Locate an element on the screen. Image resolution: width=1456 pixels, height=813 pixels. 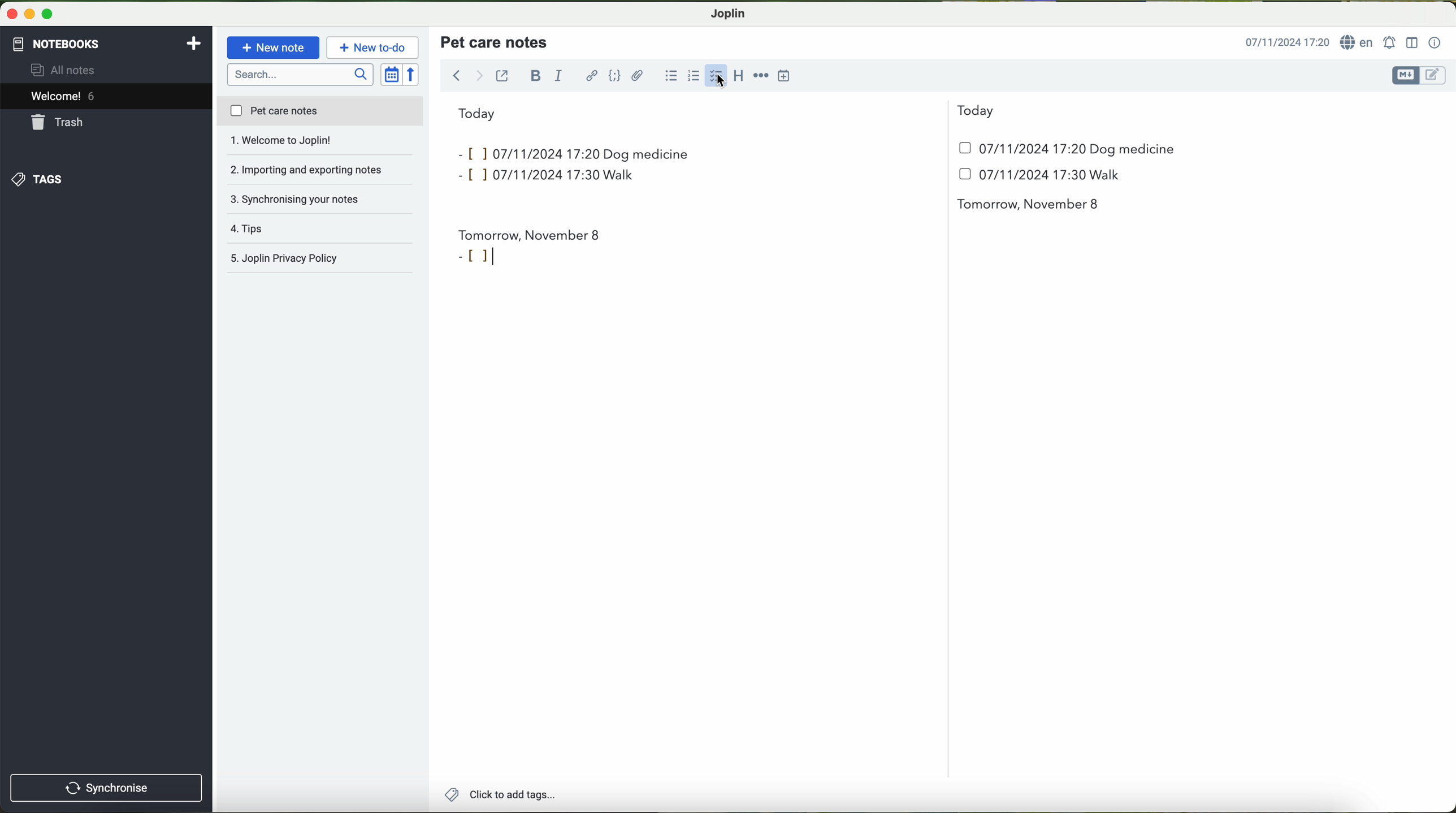
all notes is located at coordinates (66, 71).